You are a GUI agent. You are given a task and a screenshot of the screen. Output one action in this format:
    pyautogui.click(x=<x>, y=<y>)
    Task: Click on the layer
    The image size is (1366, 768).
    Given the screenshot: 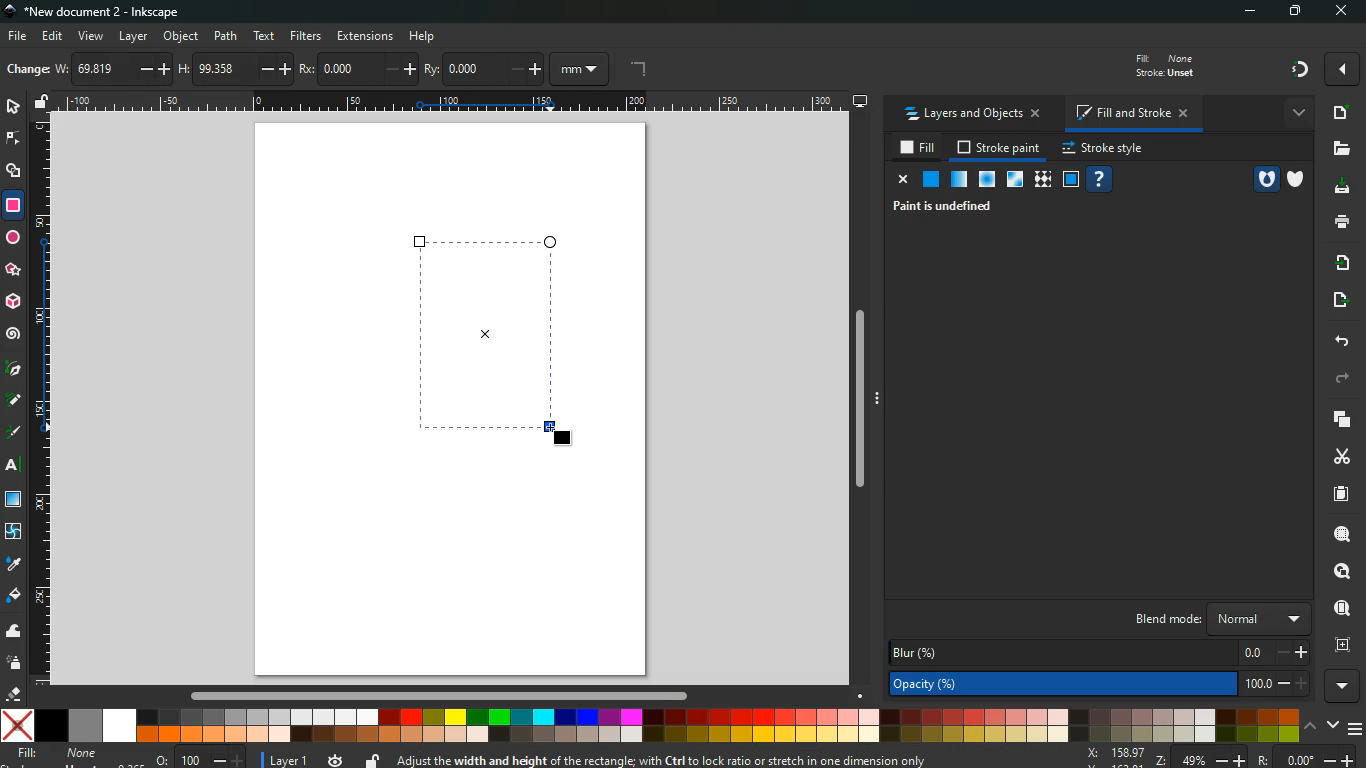 What is the action you would take?
    pyautogui.click(x=286, y=759)
    